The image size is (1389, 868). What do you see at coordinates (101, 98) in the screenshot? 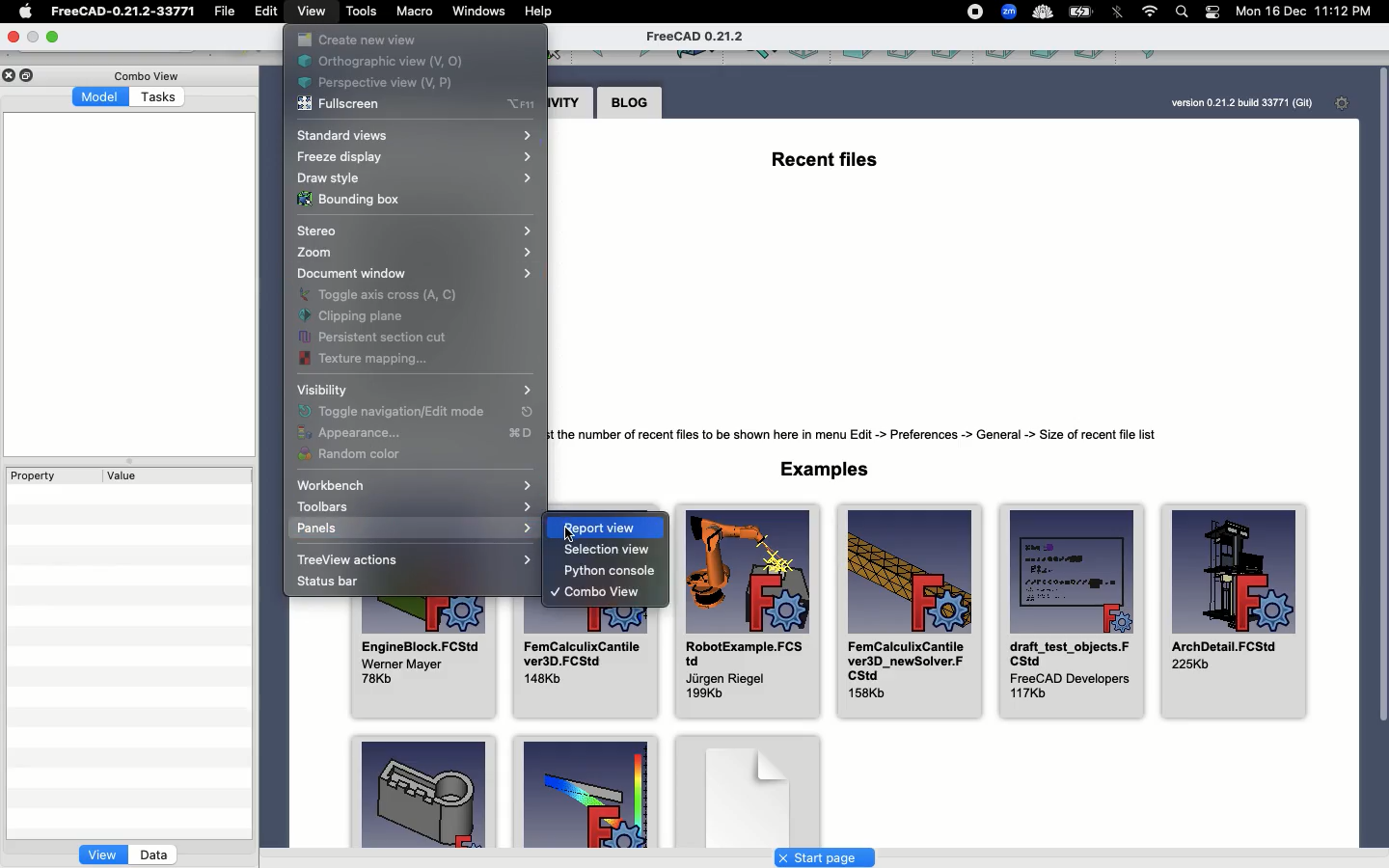
I see `Model` at bounding box center [101, 98].